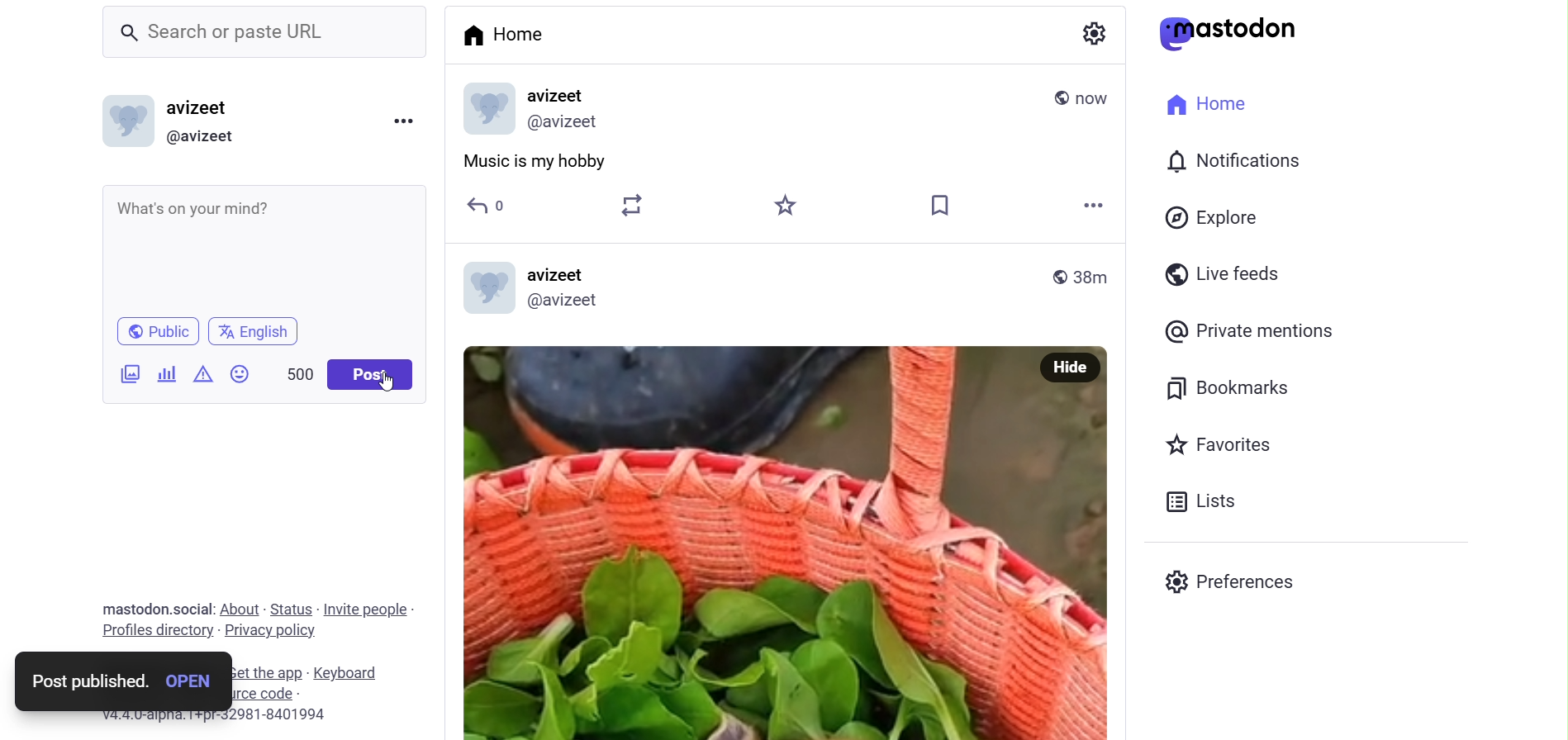  What do you see at coordinates (265, 673) in the screenshot?
I see `Get the App` at bounding box center [265, 673].